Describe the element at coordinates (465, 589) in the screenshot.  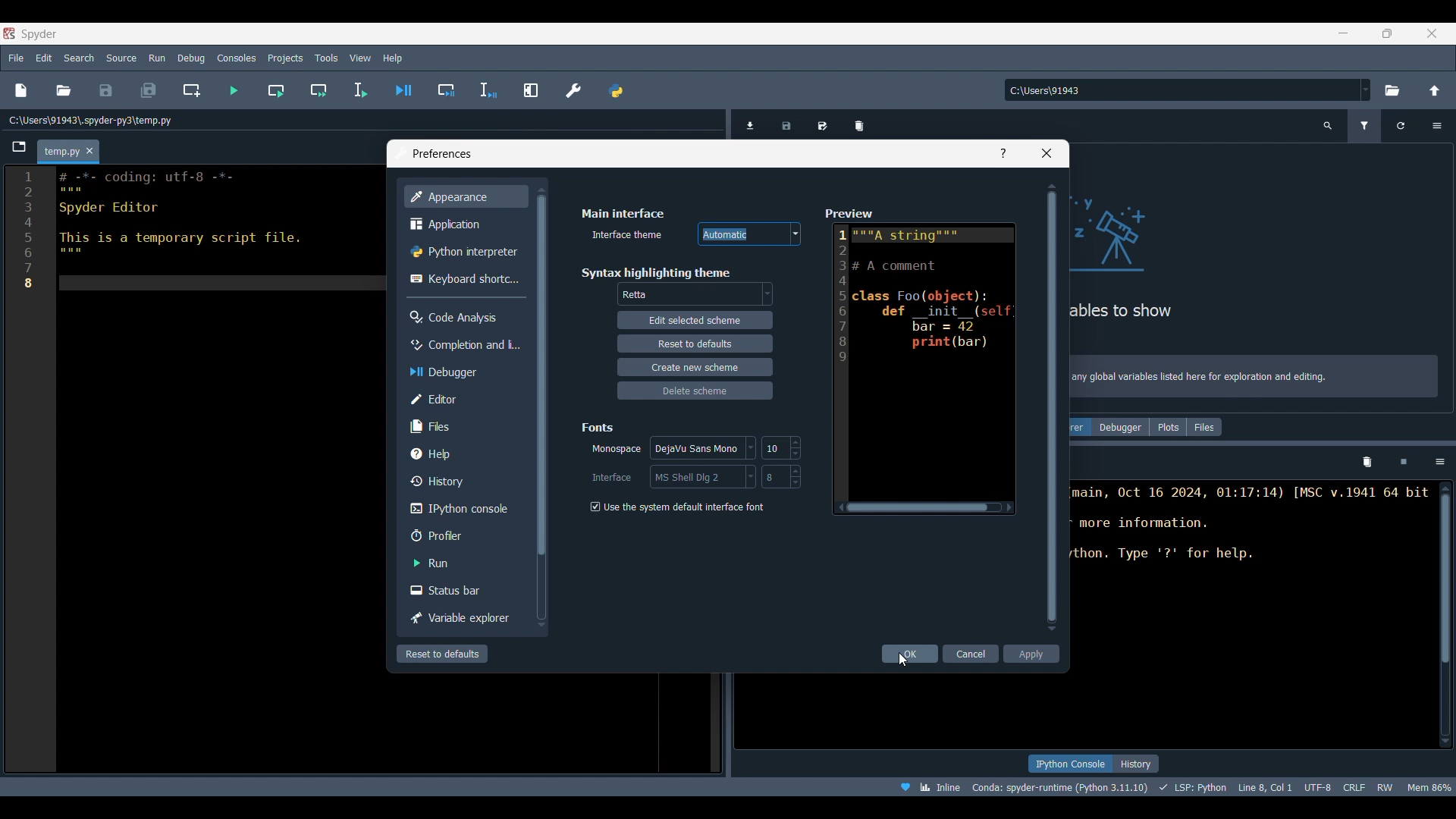
I see `Status bar` at that location.